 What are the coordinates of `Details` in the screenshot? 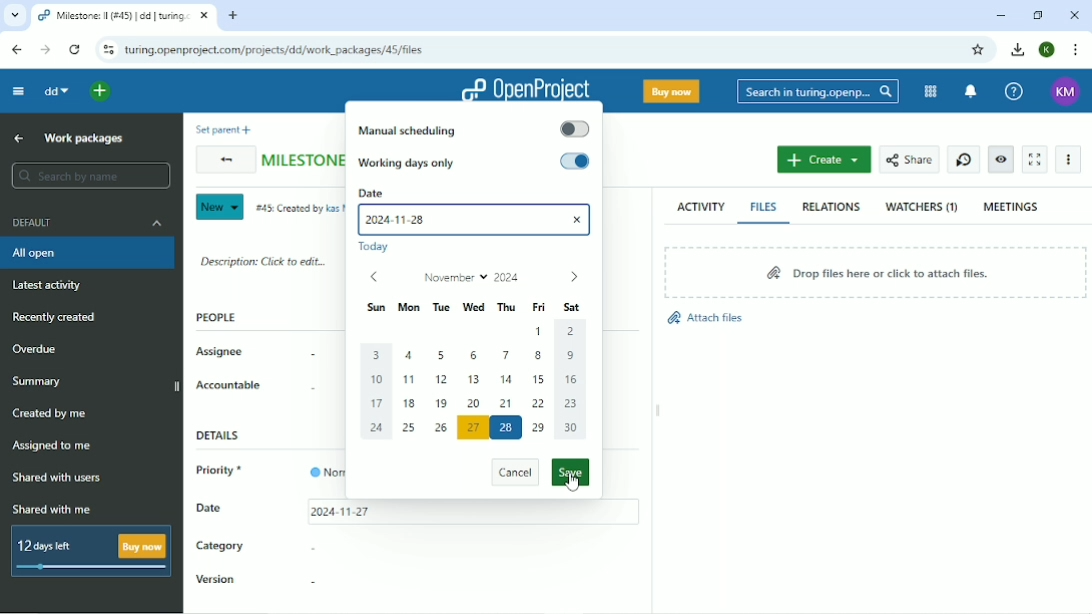 It's located at (223, 436).